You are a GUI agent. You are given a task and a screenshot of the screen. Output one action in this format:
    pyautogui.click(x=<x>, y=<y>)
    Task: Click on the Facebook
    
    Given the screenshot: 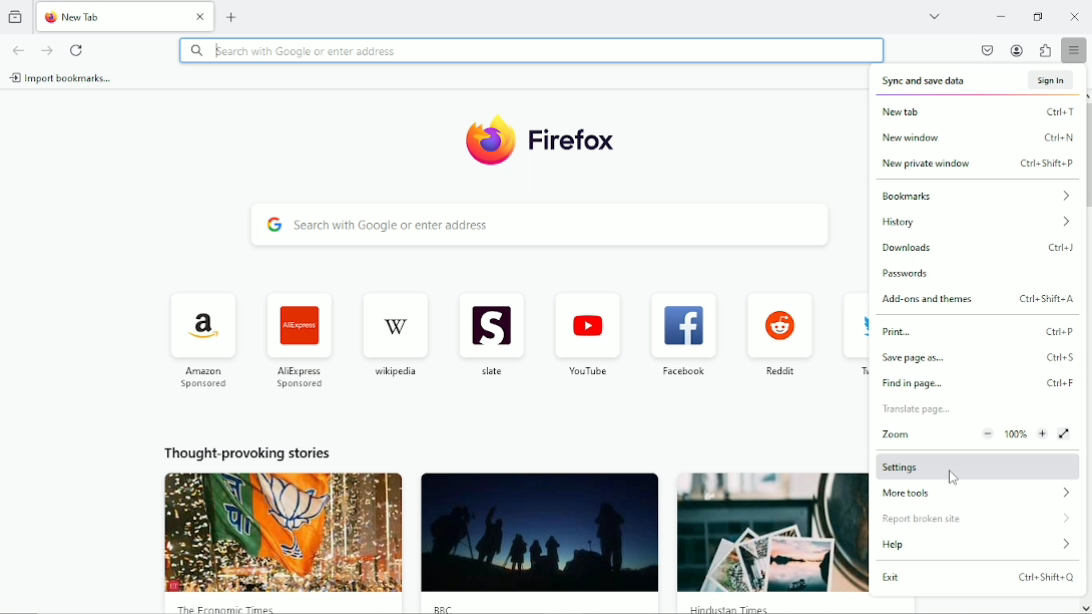 What is the action you would take?
    pyautogui.click(x=682, y=334)
    